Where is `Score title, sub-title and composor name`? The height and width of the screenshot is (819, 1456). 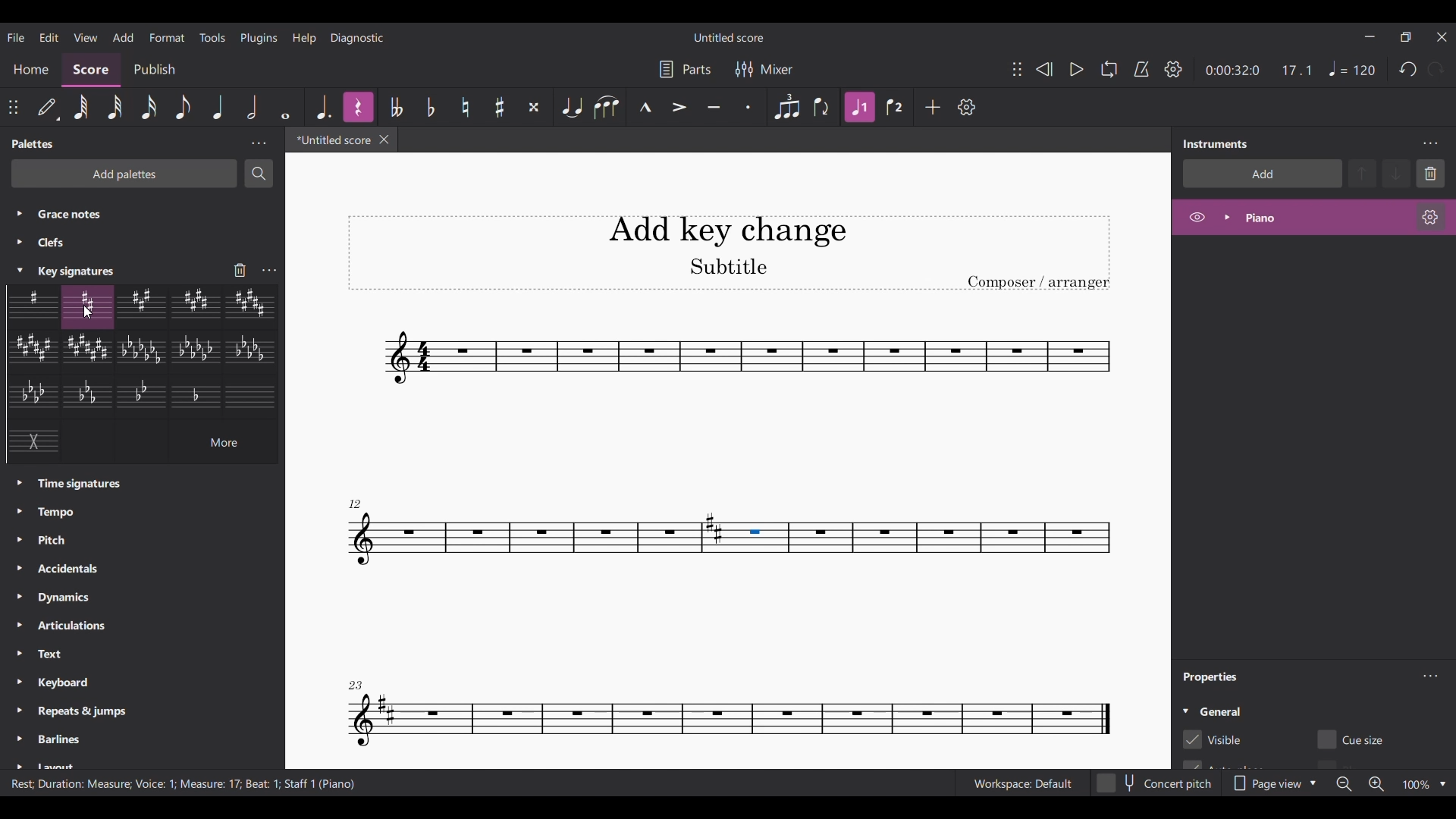
Score title, sub-title and composor name is located at coordinates (730, 253).